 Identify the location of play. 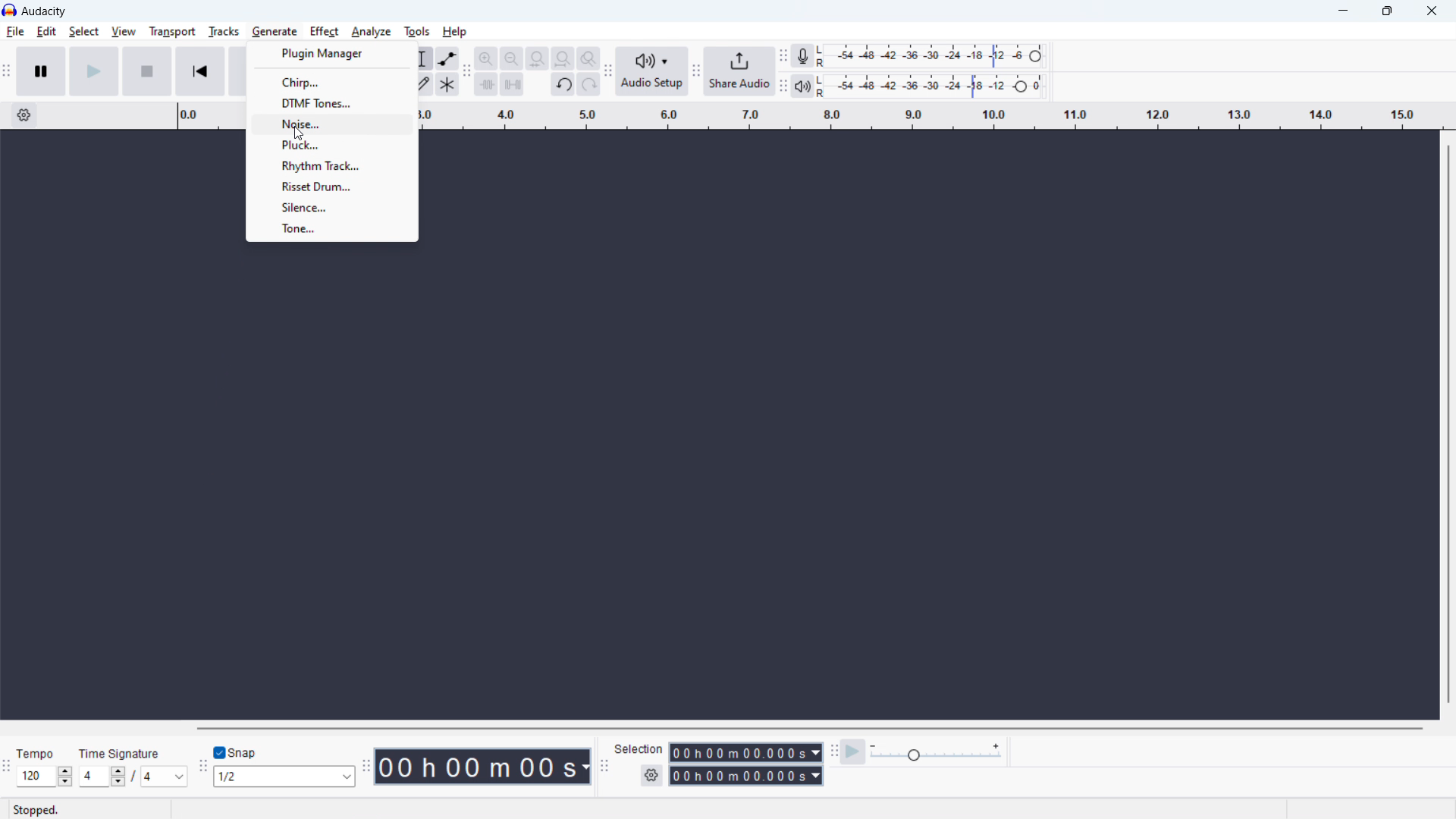
(94, 71).